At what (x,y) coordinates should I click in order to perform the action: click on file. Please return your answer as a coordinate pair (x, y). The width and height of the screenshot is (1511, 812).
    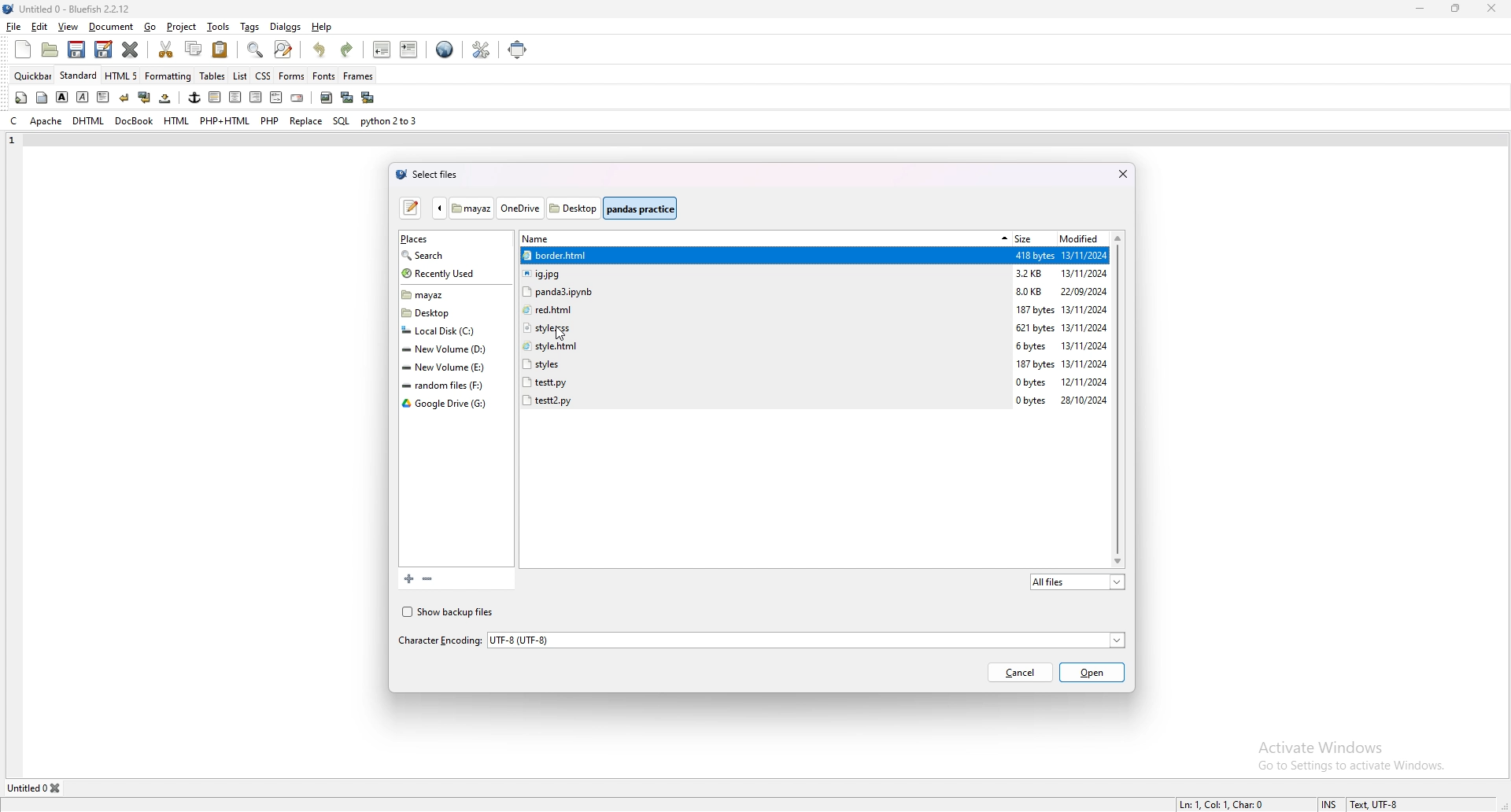
    Looking at the image, I should click on (765, 327).